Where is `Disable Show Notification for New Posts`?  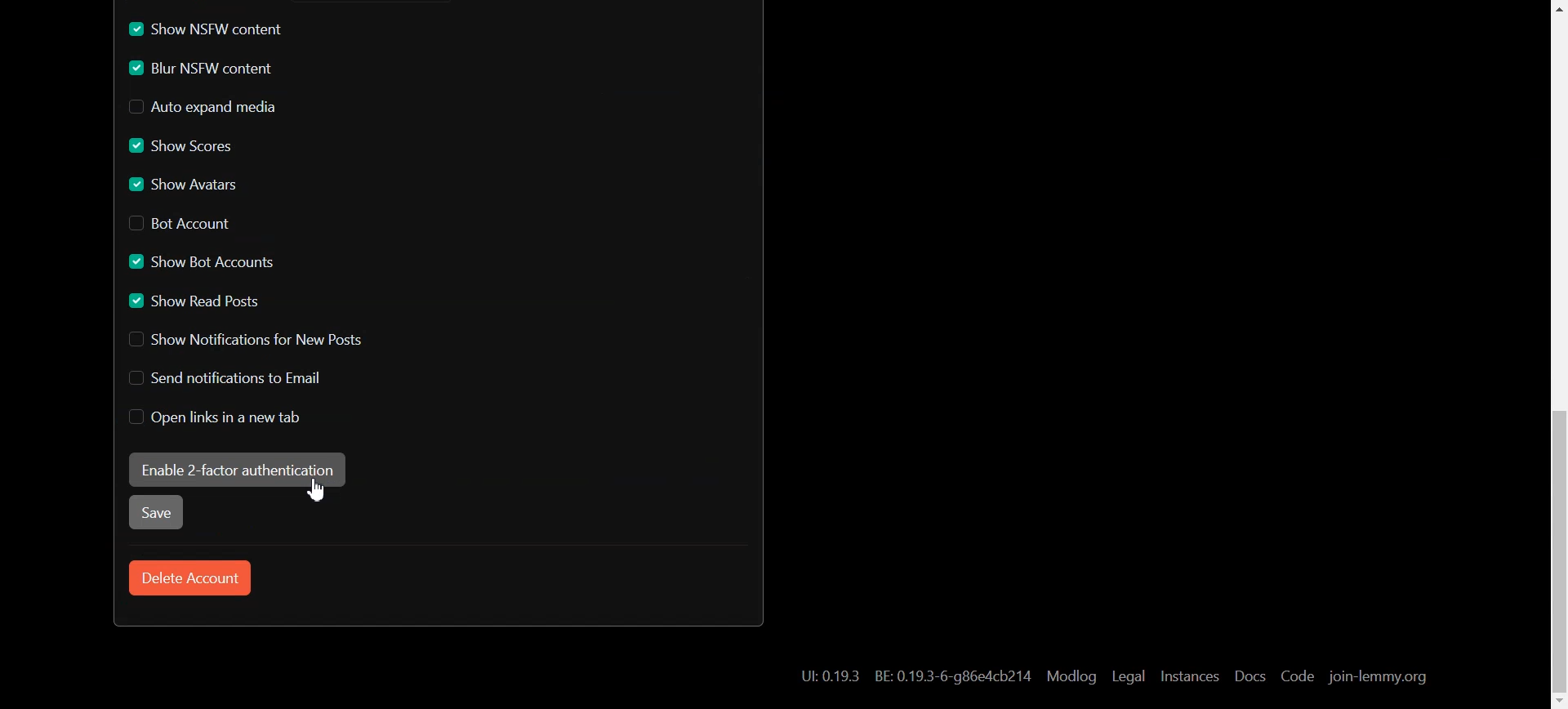 Disable Show Notification for New Posts is located at coordinates (247, 340).